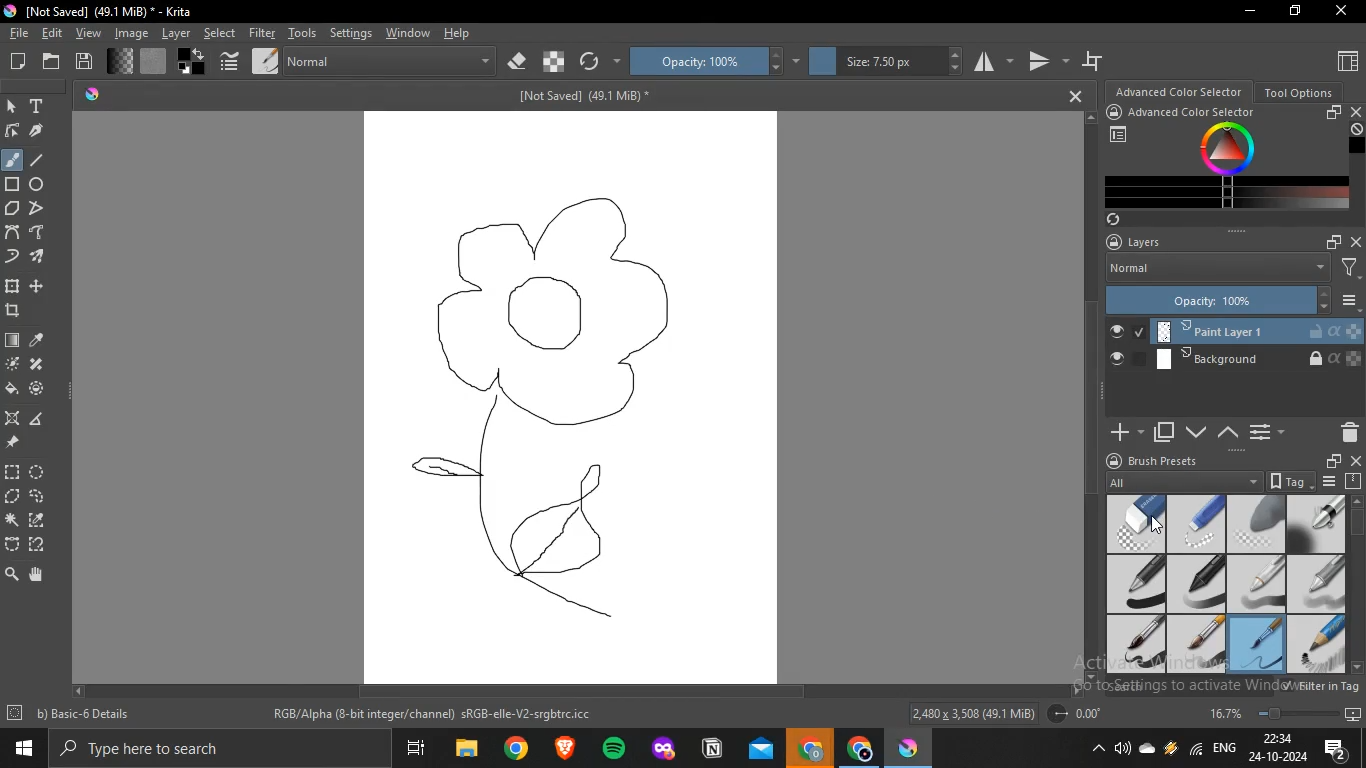 The width and height of the screenshot is (1366, 768). I want to click on polyline tool, so click(36, 208).